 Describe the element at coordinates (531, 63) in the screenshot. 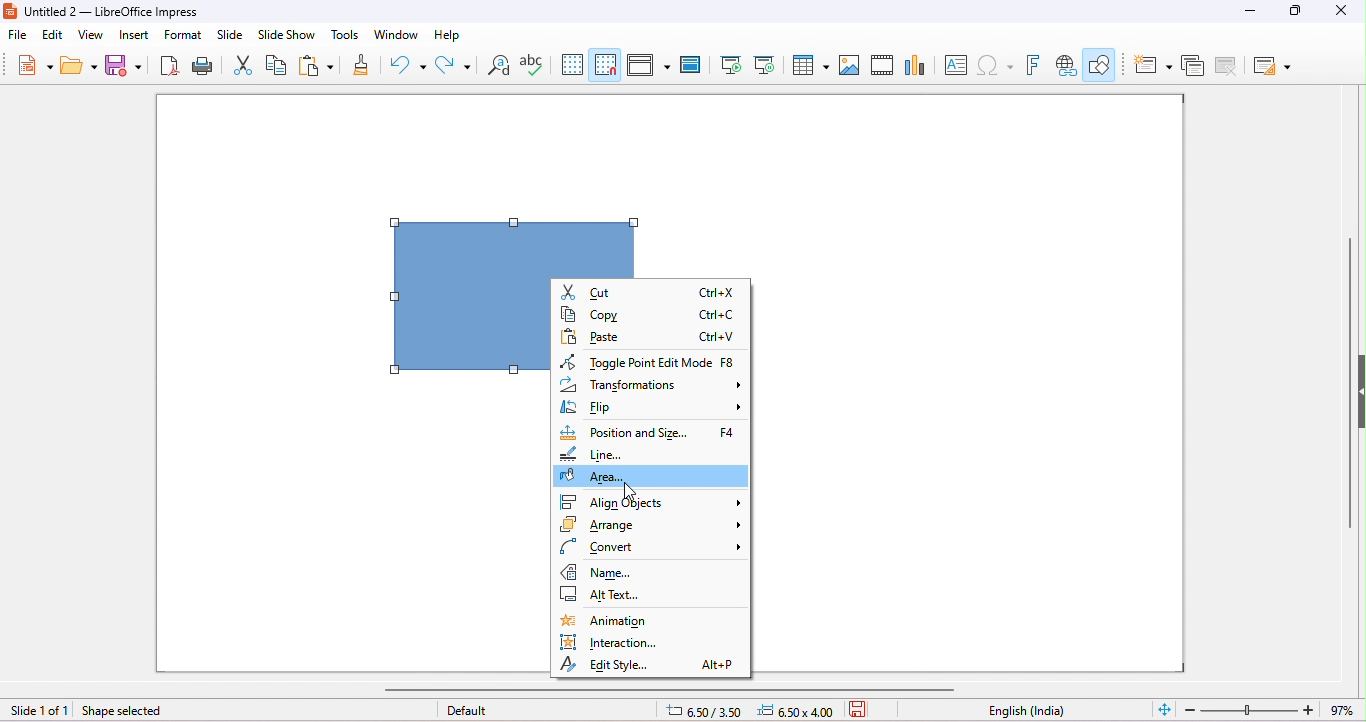

I see `spelling` at that location.